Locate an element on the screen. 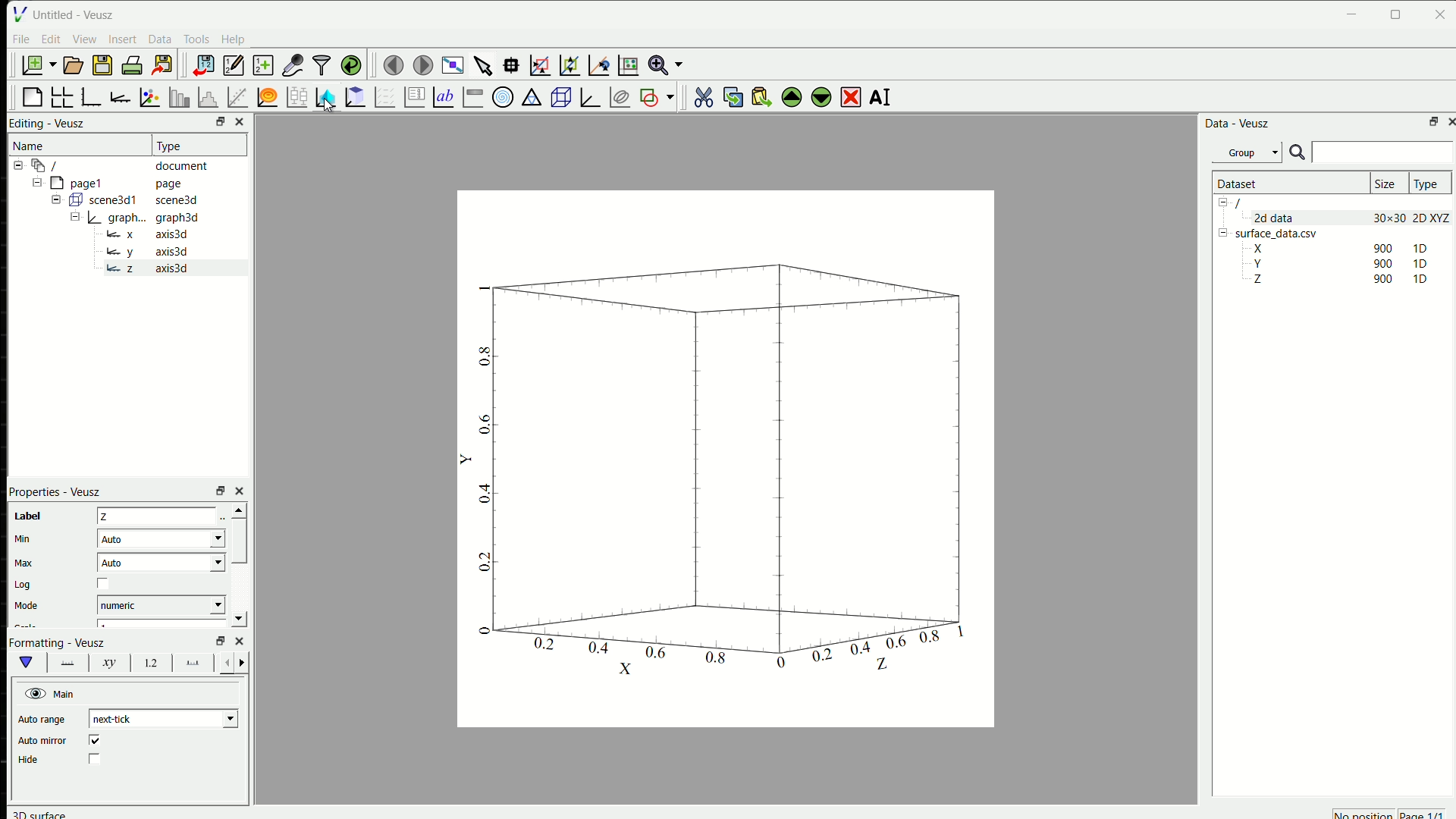 The height and width of the screenshot is (819, 1456). Dataset is located at coordinates (1239, 184).